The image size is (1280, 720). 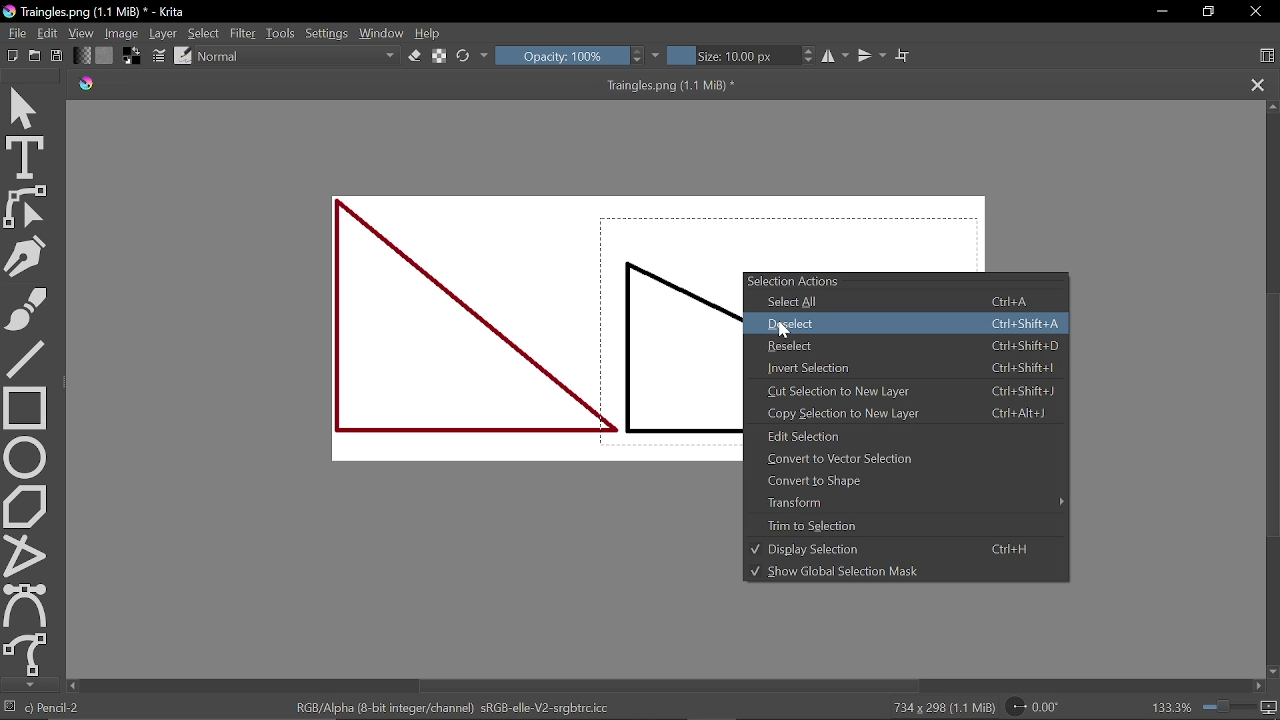 I want to click on Eraser, so click(x=415, y=56).